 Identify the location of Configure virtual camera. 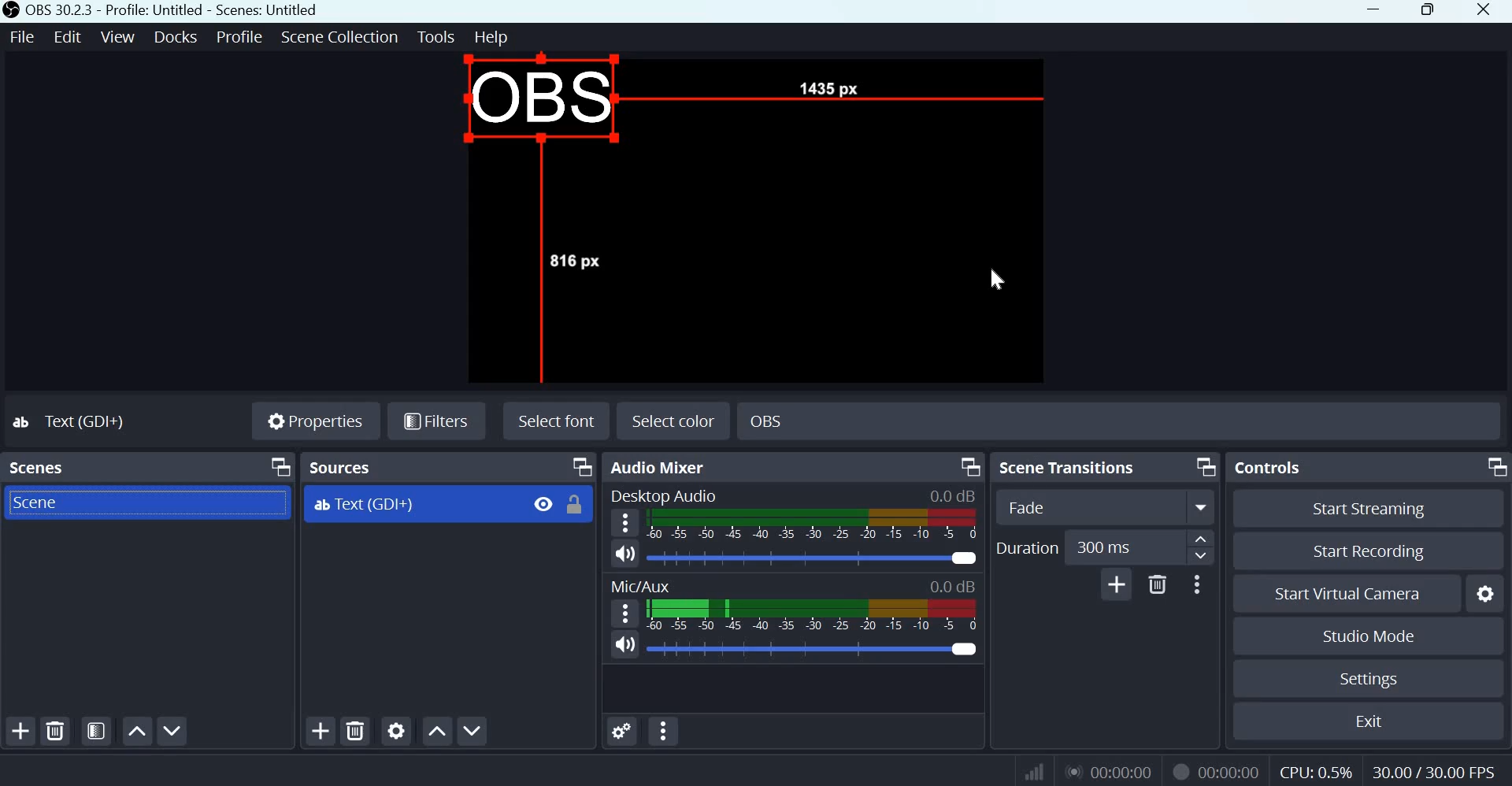
(1485, 594).